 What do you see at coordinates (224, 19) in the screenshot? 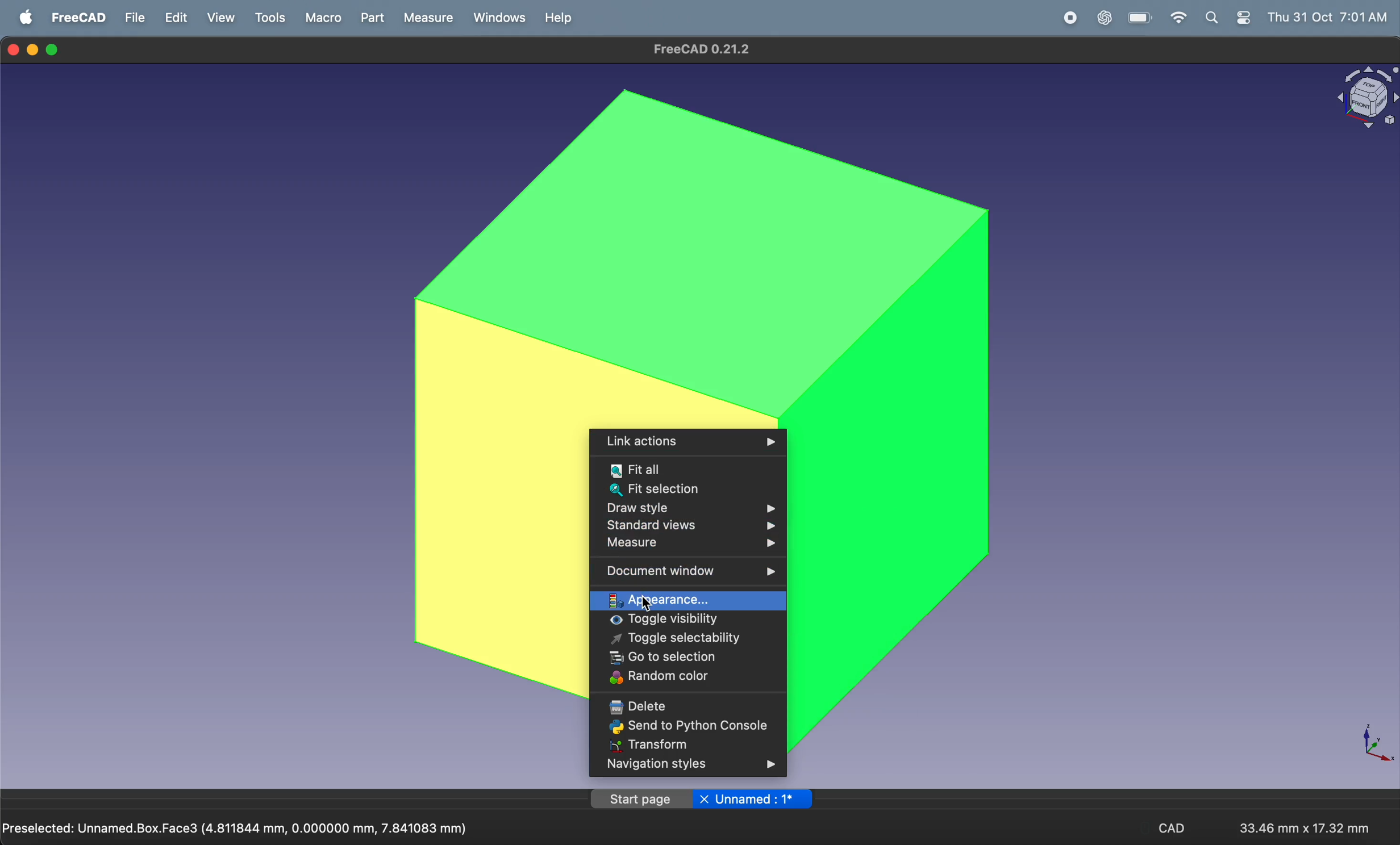
I see `view` at bounding box center [224, 19].